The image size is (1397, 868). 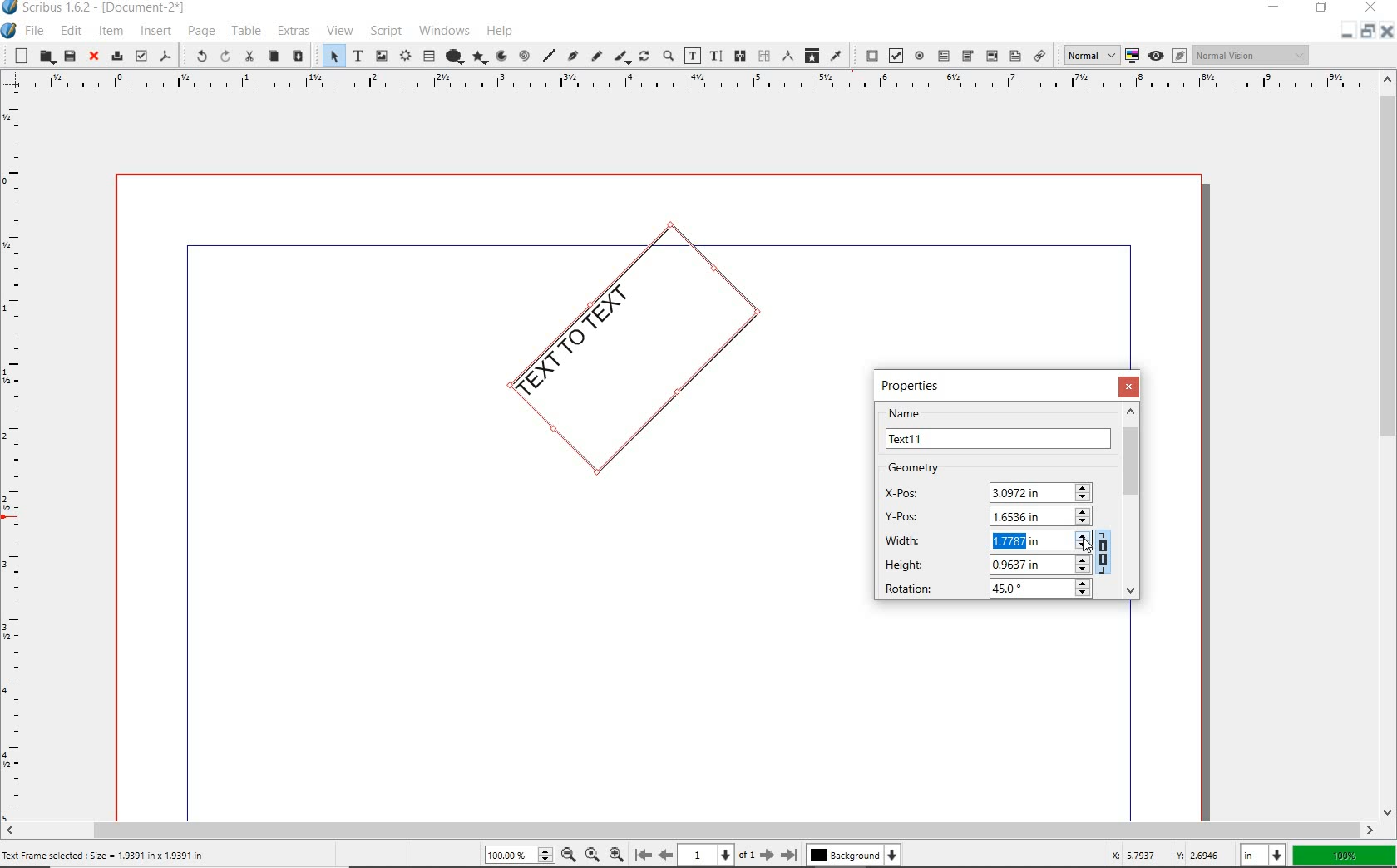 I want to click on table, so click(x=244, y=31).